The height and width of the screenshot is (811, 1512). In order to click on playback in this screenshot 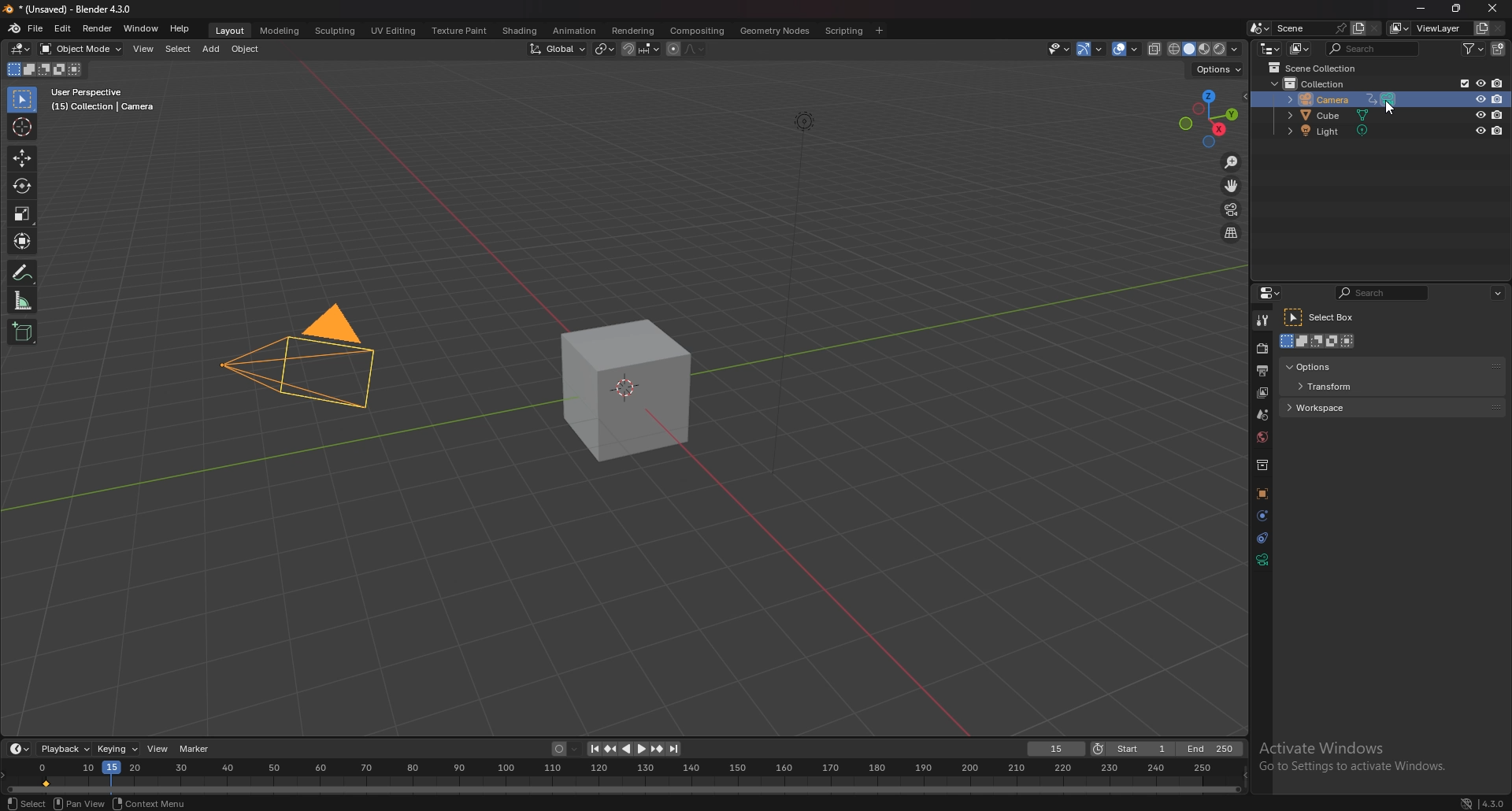, I will do `click(64, 749)`.